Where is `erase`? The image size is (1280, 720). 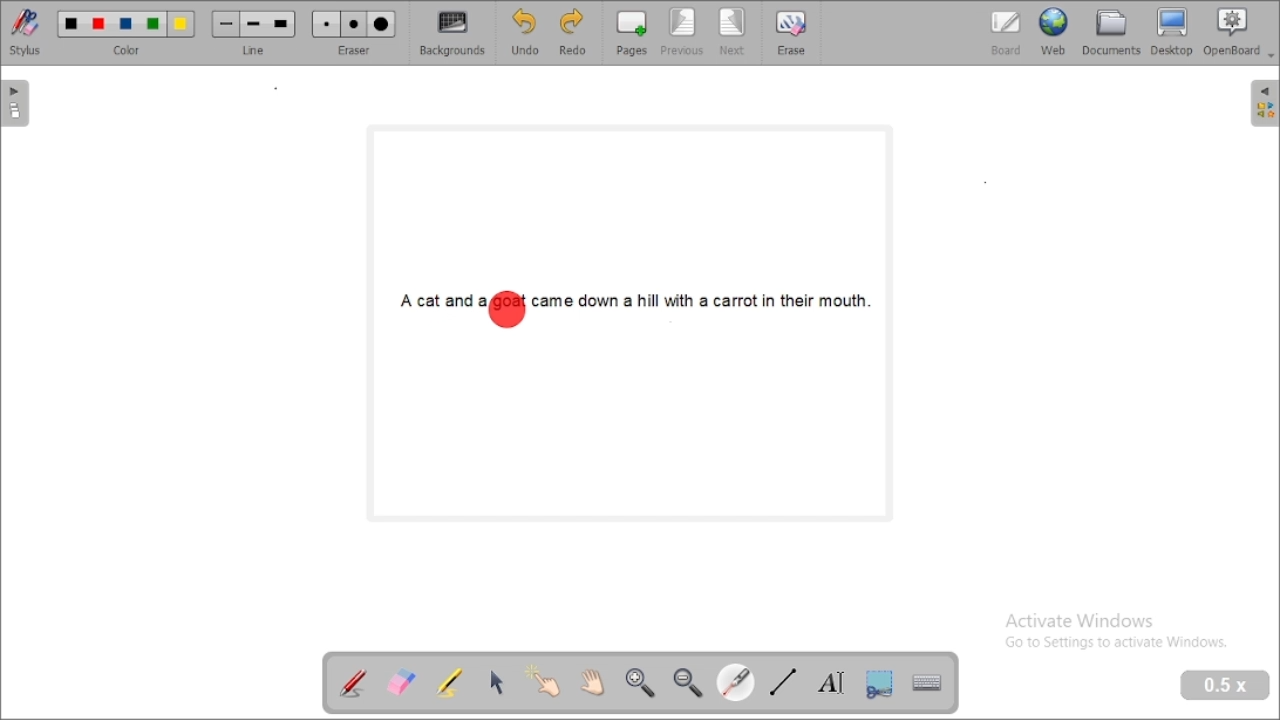 erase is located at coordinates (791, 32).